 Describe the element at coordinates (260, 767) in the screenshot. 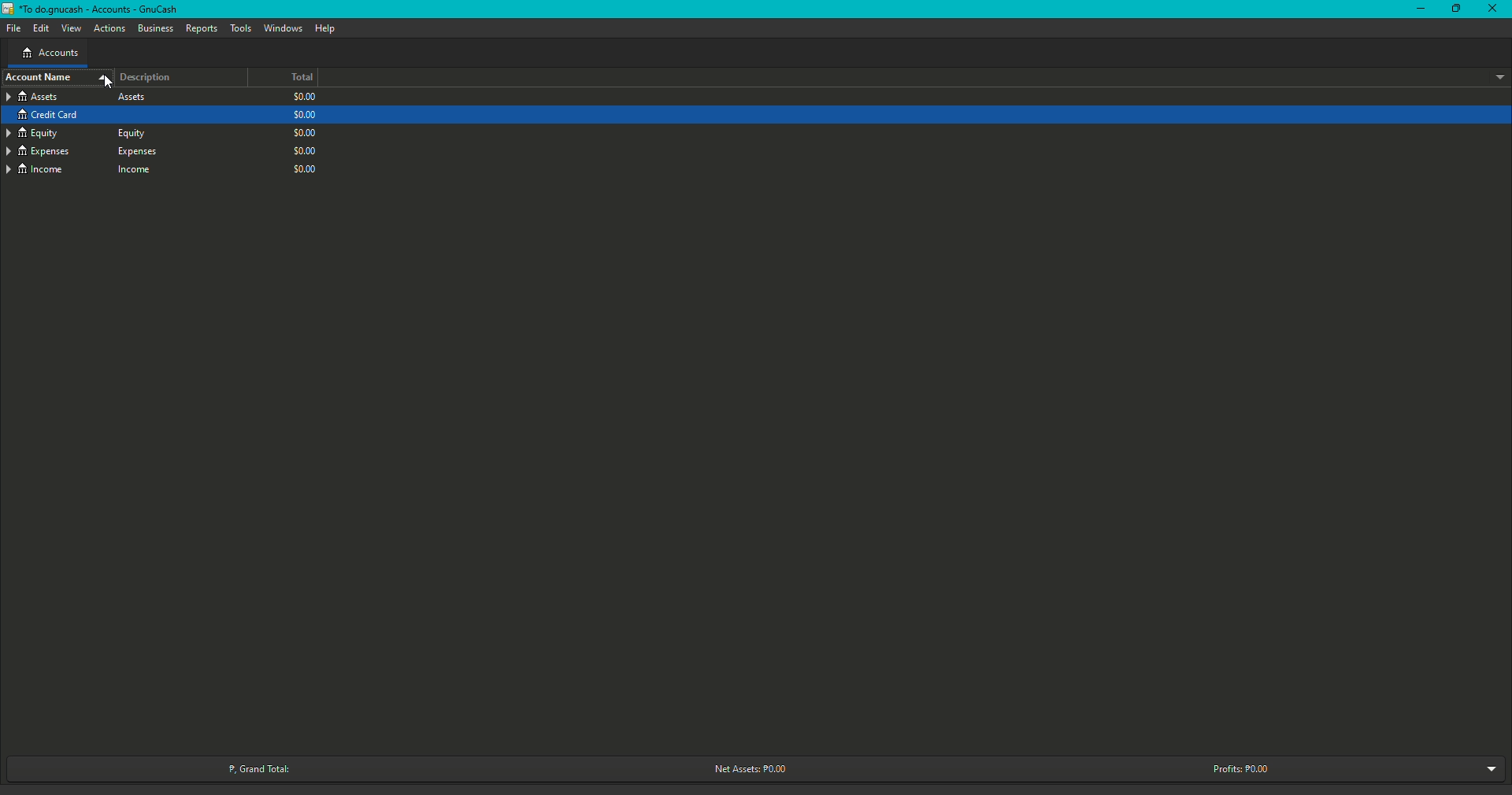

I see `Grand Total` at that location.